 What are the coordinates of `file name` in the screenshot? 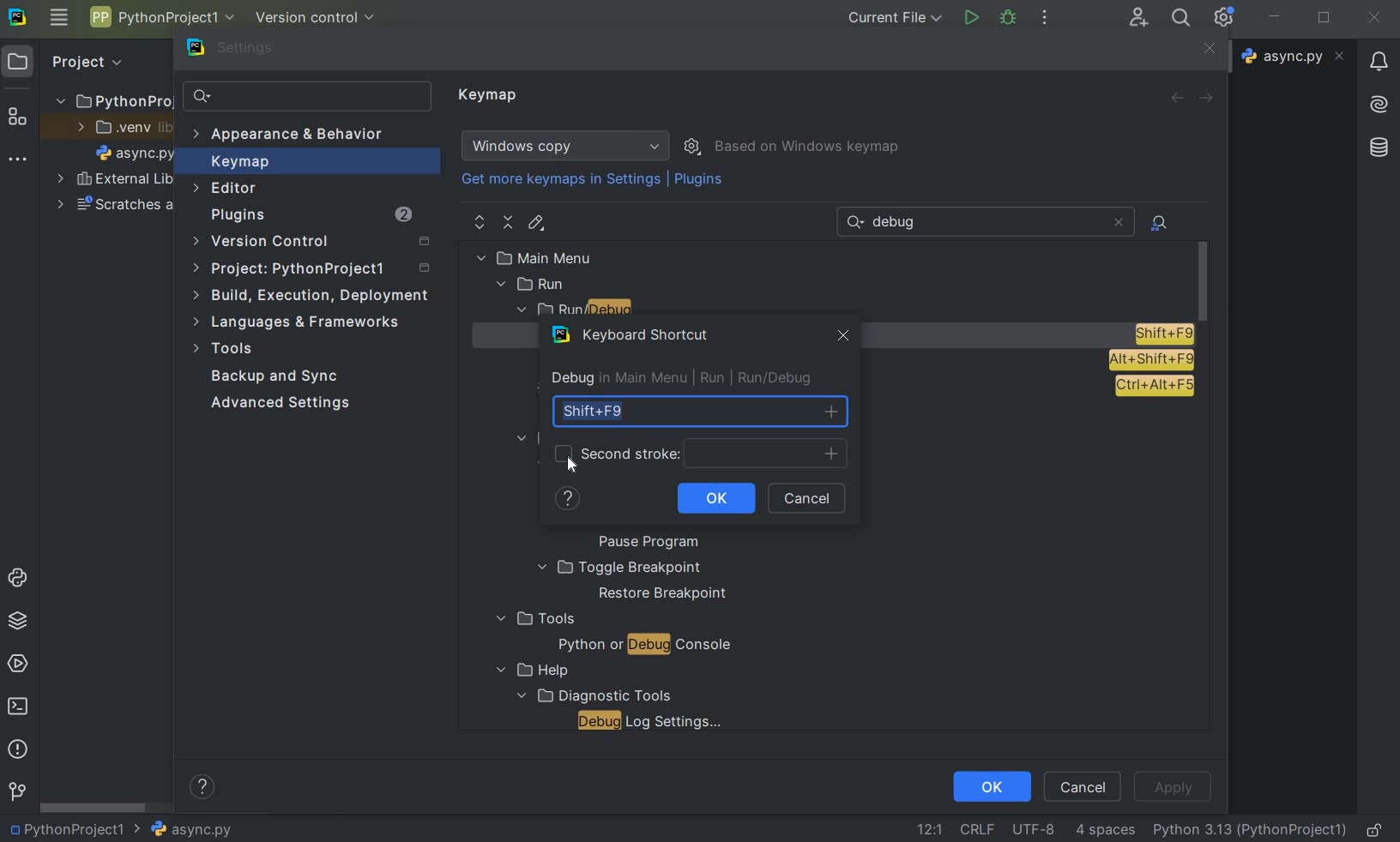 It's located at (1295, 56).